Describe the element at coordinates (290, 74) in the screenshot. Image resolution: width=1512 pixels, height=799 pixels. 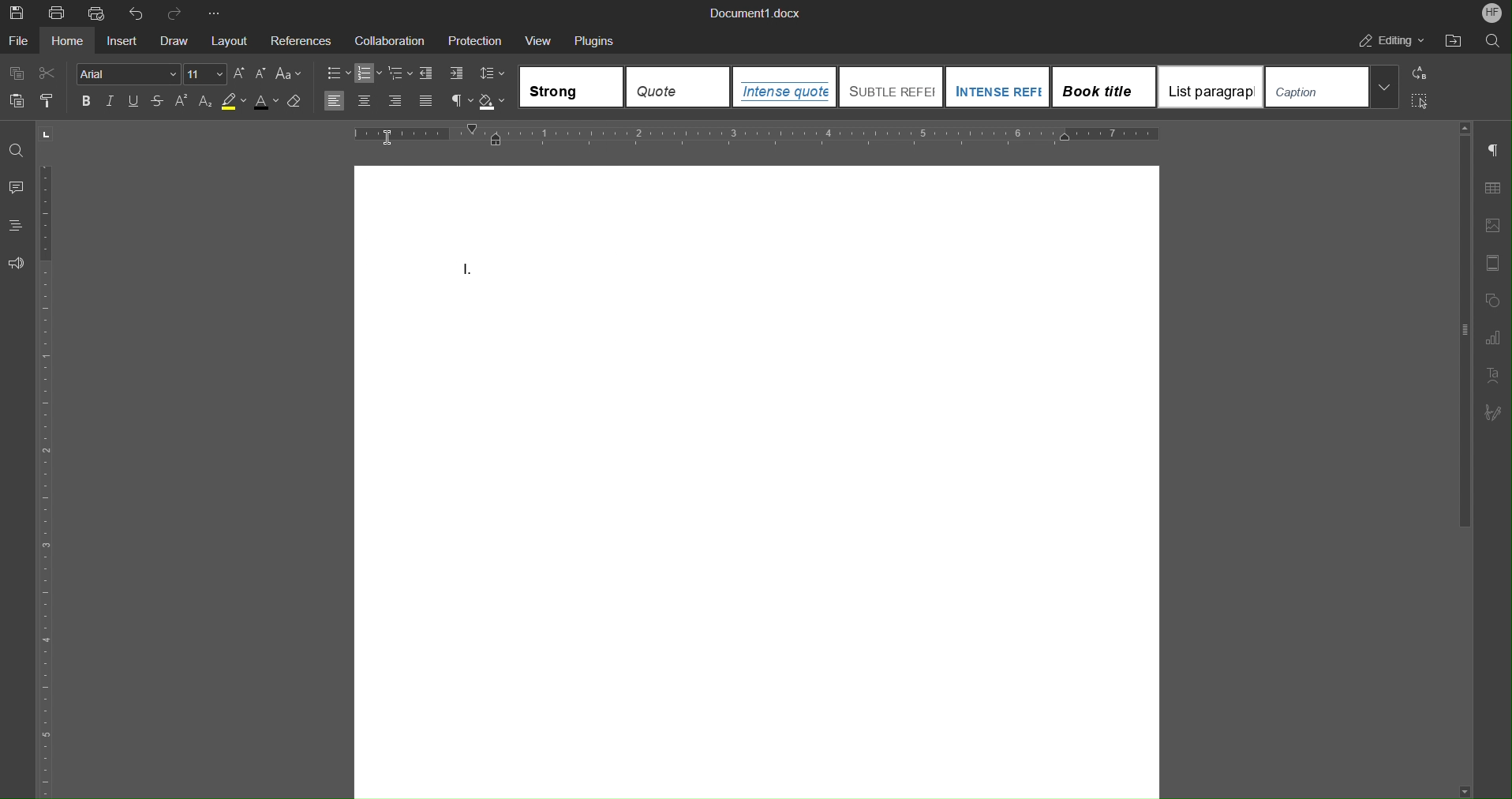
I see `Text Case Settings` at that location.